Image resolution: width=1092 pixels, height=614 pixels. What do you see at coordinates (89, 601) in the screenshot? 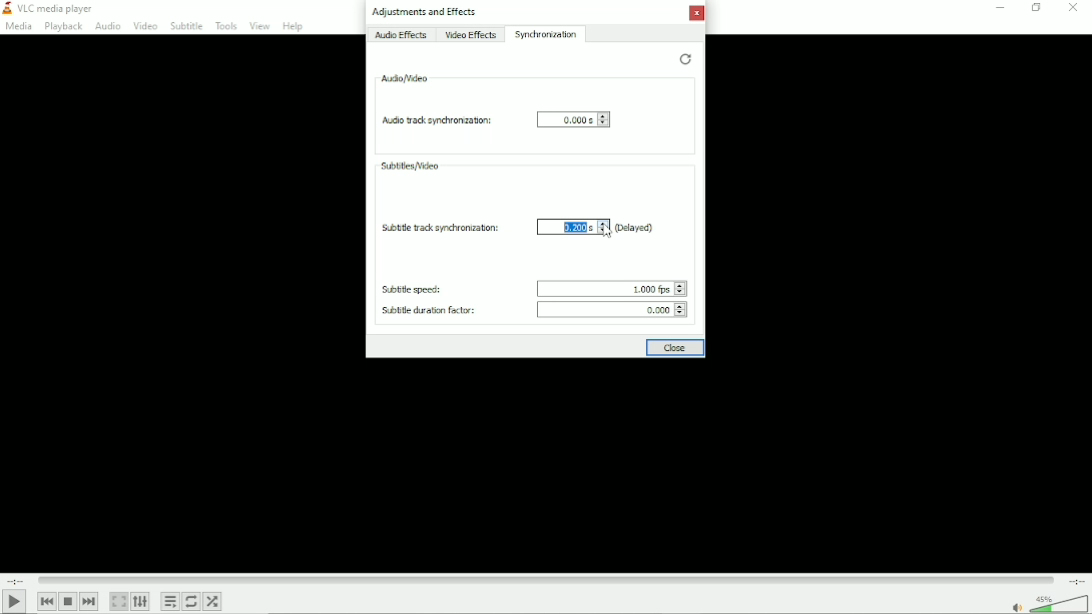
I see `Next` at bounding box center [89, 601].